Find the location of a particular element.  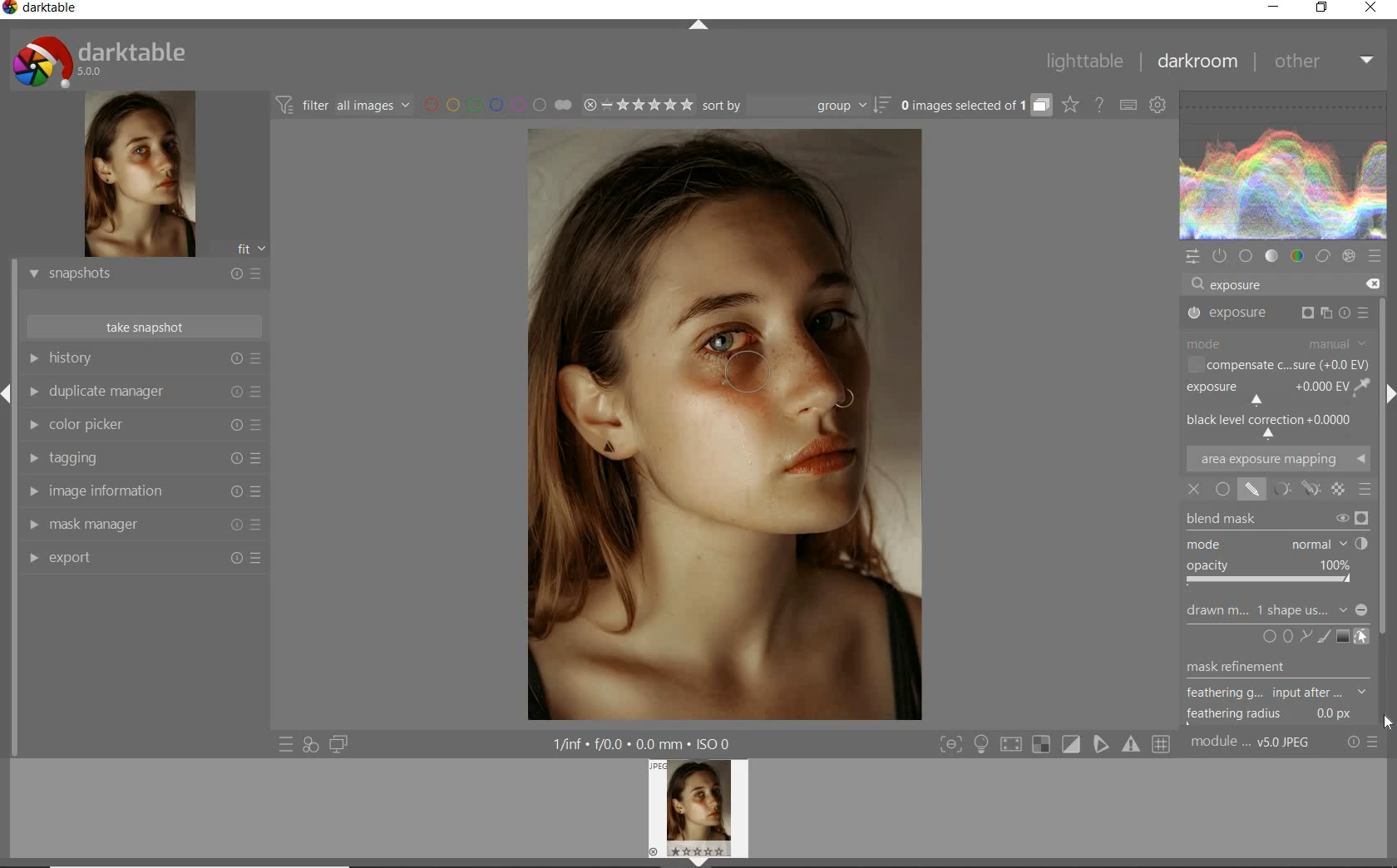

DELETE is located at coordinates (1371, 282).